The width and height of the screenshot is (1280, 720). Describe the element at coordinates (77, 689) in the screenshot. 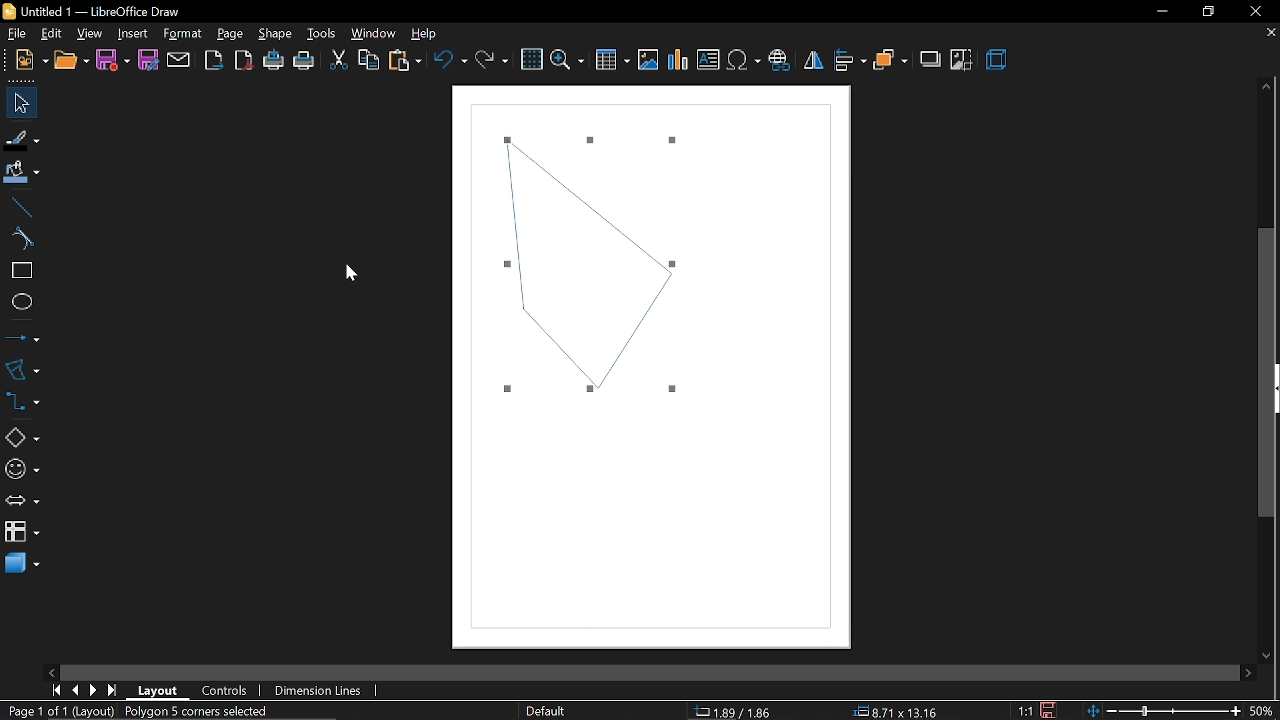

I see `previous page` at that location.